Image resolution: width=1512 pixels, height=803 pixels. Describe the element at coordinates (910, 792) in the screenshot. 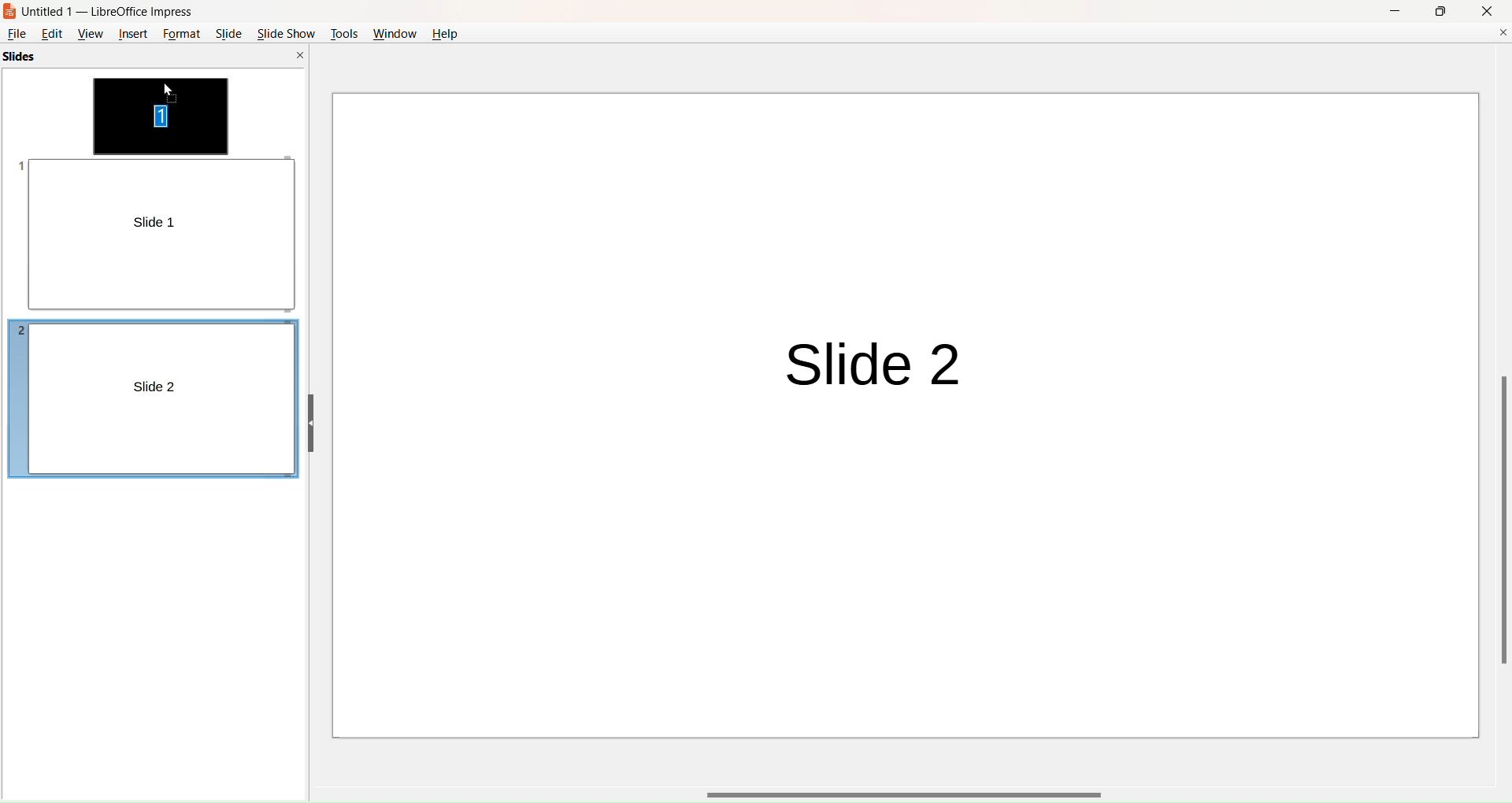

I see `horizontal scroll bar` at that location.